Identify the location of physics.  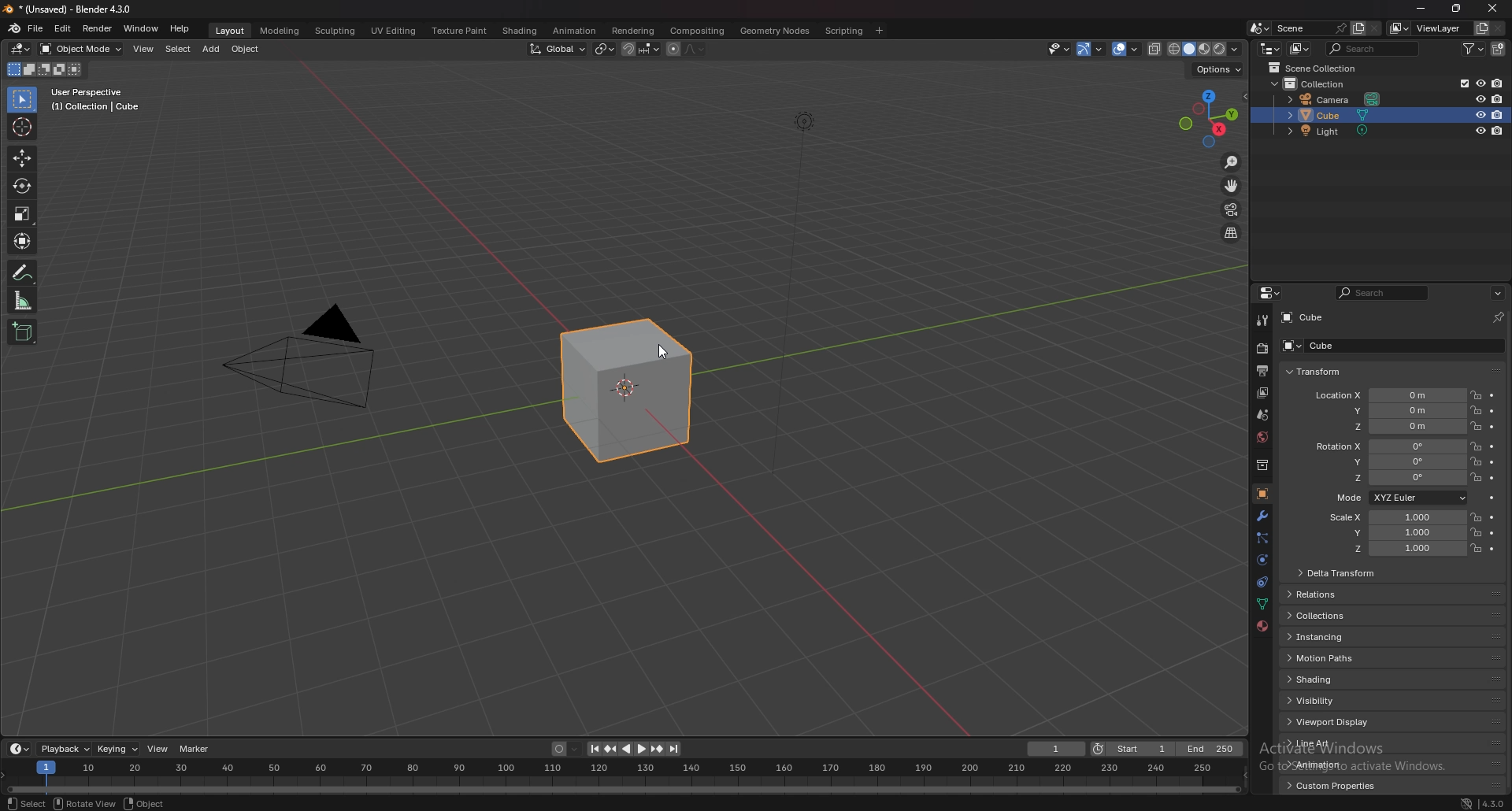
(1262, 561).